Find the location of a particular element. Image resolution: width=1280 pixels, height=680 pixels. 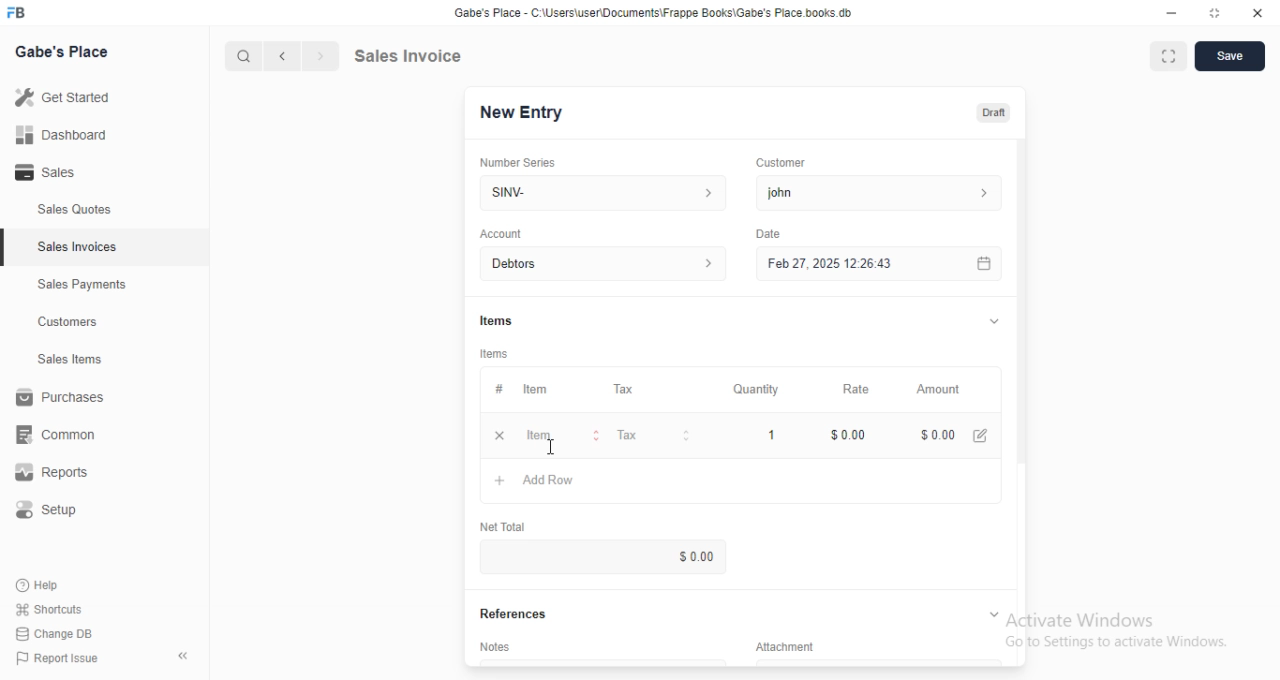

Add row is located at coordinates (539, 481).